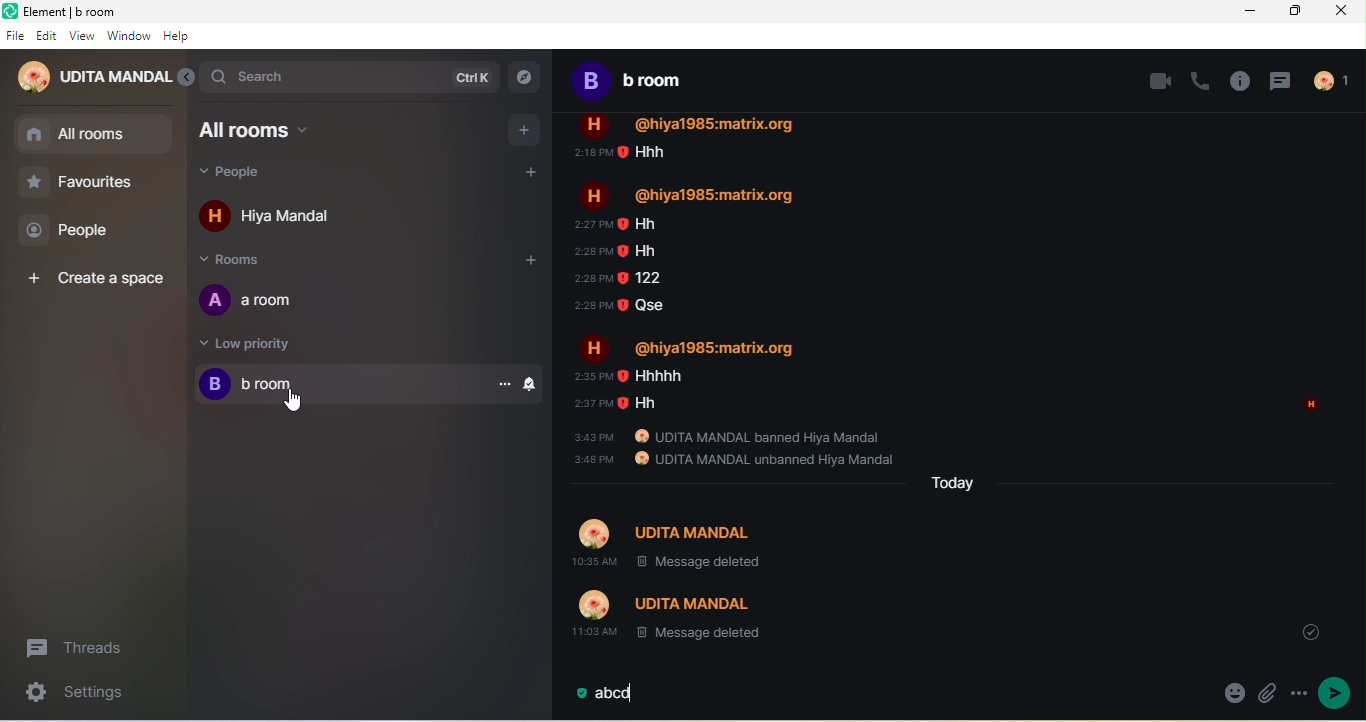 Image resolution: width=1366 pixels, height=722 pixels. What do you see at coordinates (1161, 83) in the screenshot?
I see `video call` at bounding box center [1161, 83].